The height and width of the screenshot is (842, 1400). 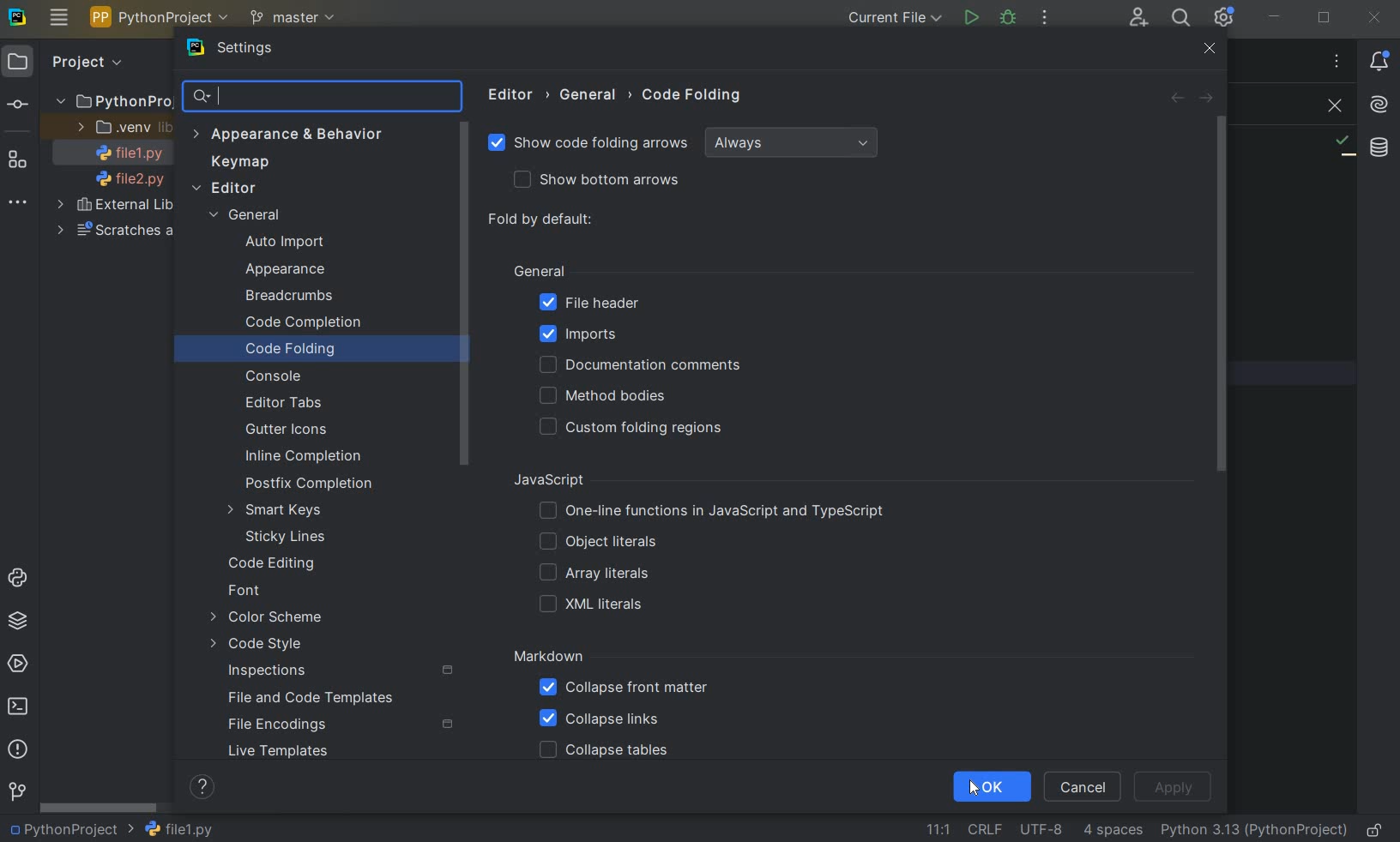 What do you see at coordinates (514, 94) in the screenshot?
I see `EDITOR` at bounding box center [514, 94].